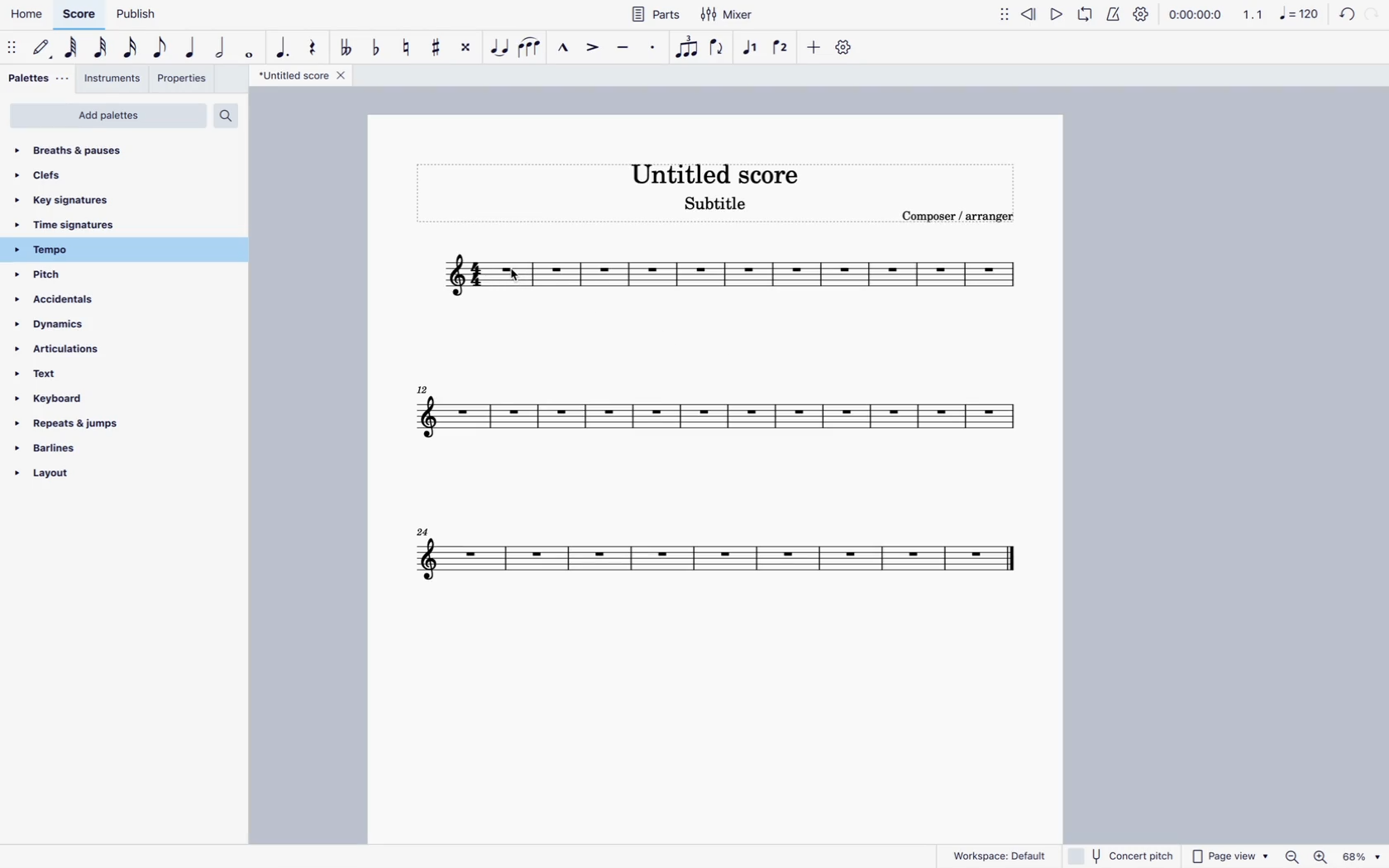 The image size is (1389, 868). Describe the element at coordinates (191, 48) in the screenshot. I see `quarter note` at that location.